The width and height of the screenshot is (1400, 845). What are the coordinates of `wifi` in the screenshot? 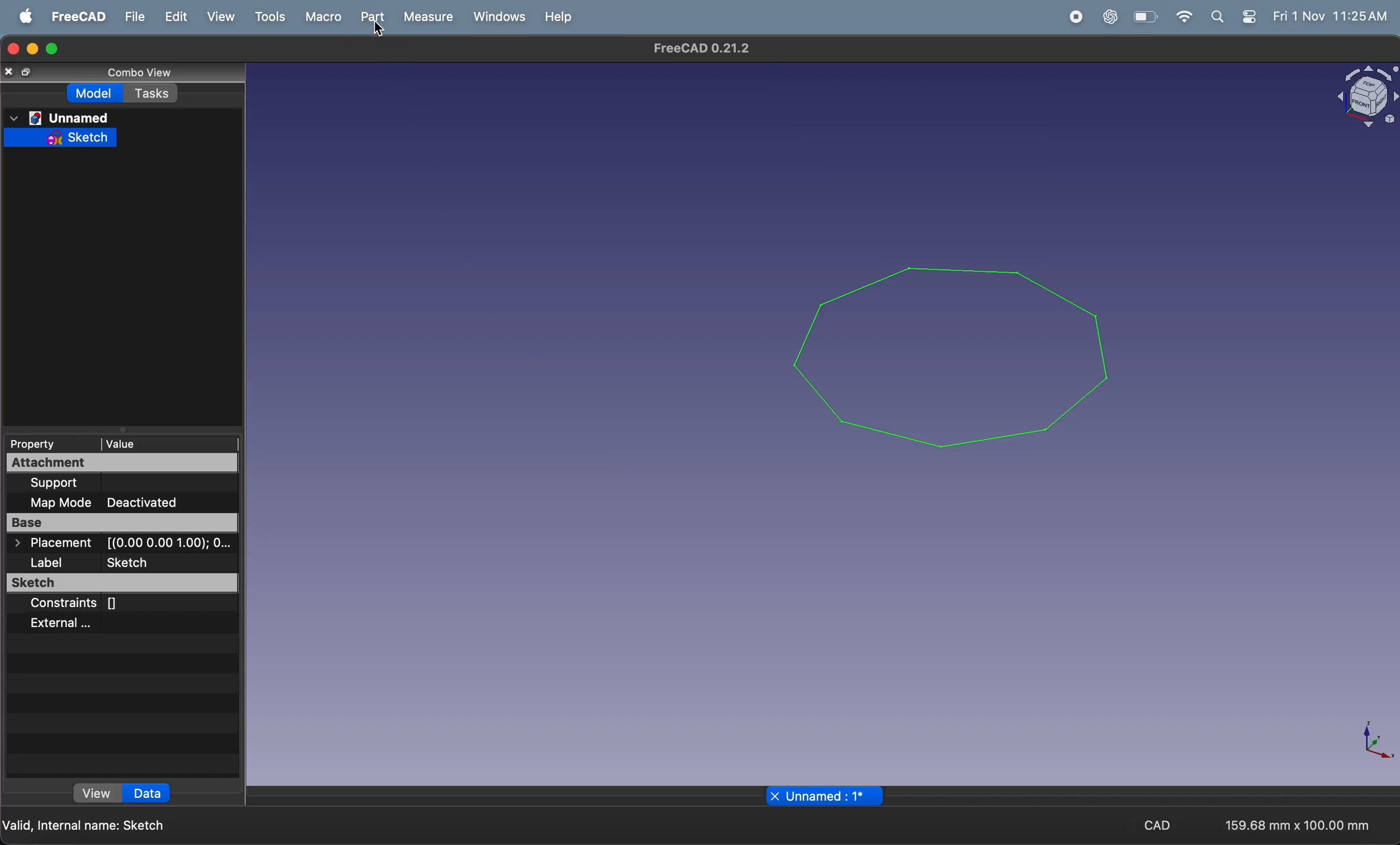 It's located at (1181, 16).